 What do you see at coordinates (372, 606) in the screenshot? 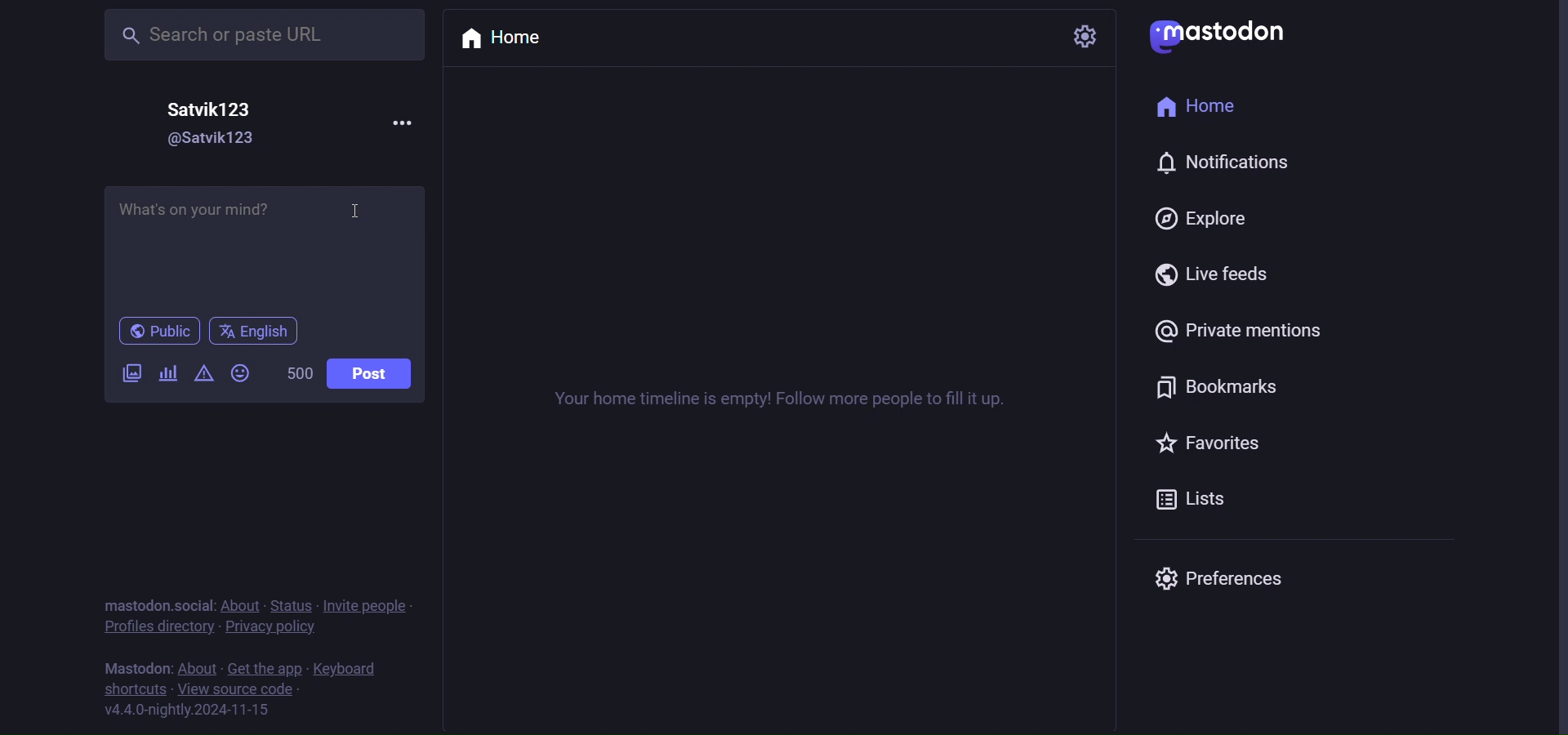
I see `invite people` at bounding box center [372, 606].